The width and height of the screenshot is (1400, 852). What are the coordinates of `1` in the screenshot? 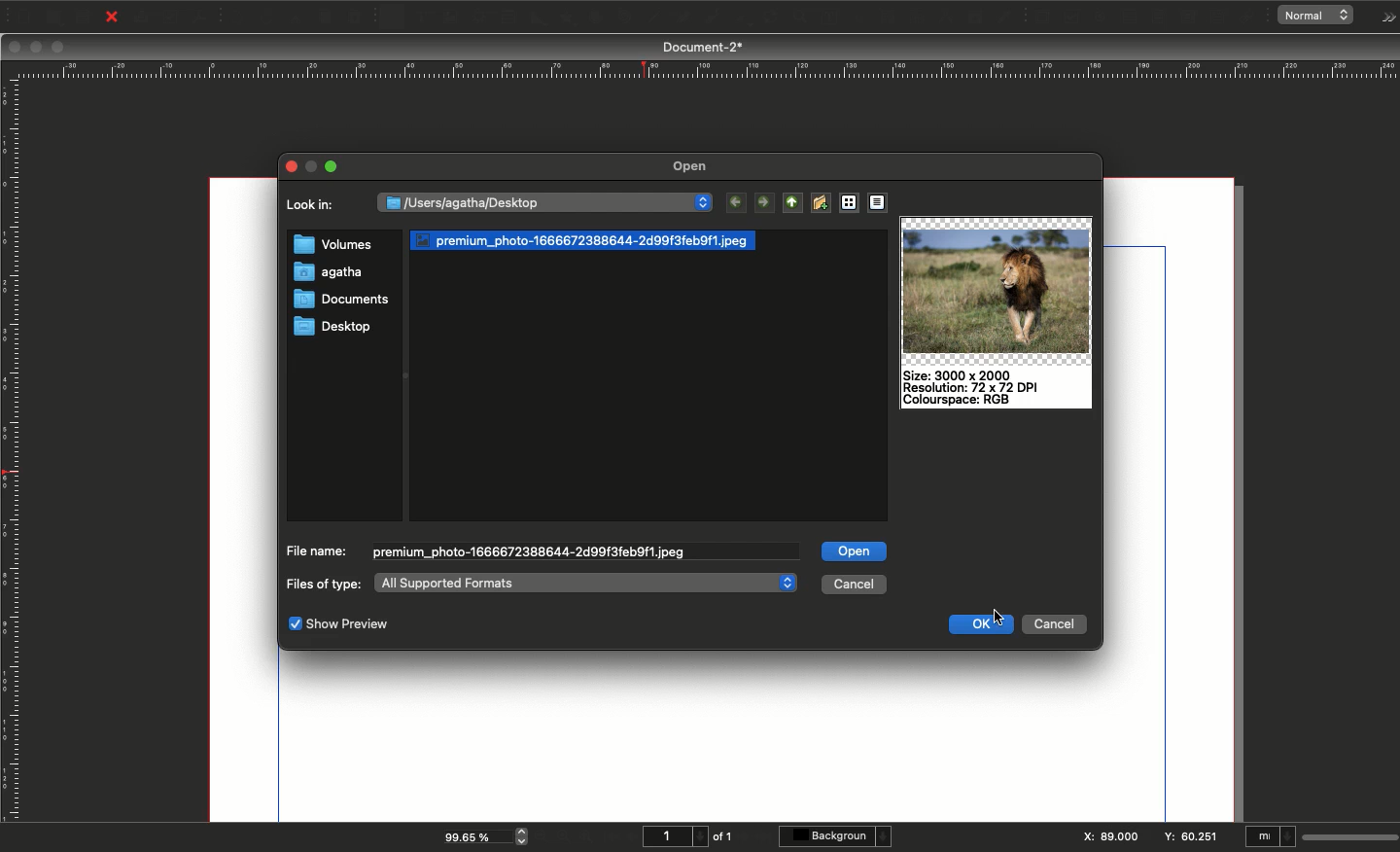 It's located at (673, 836).